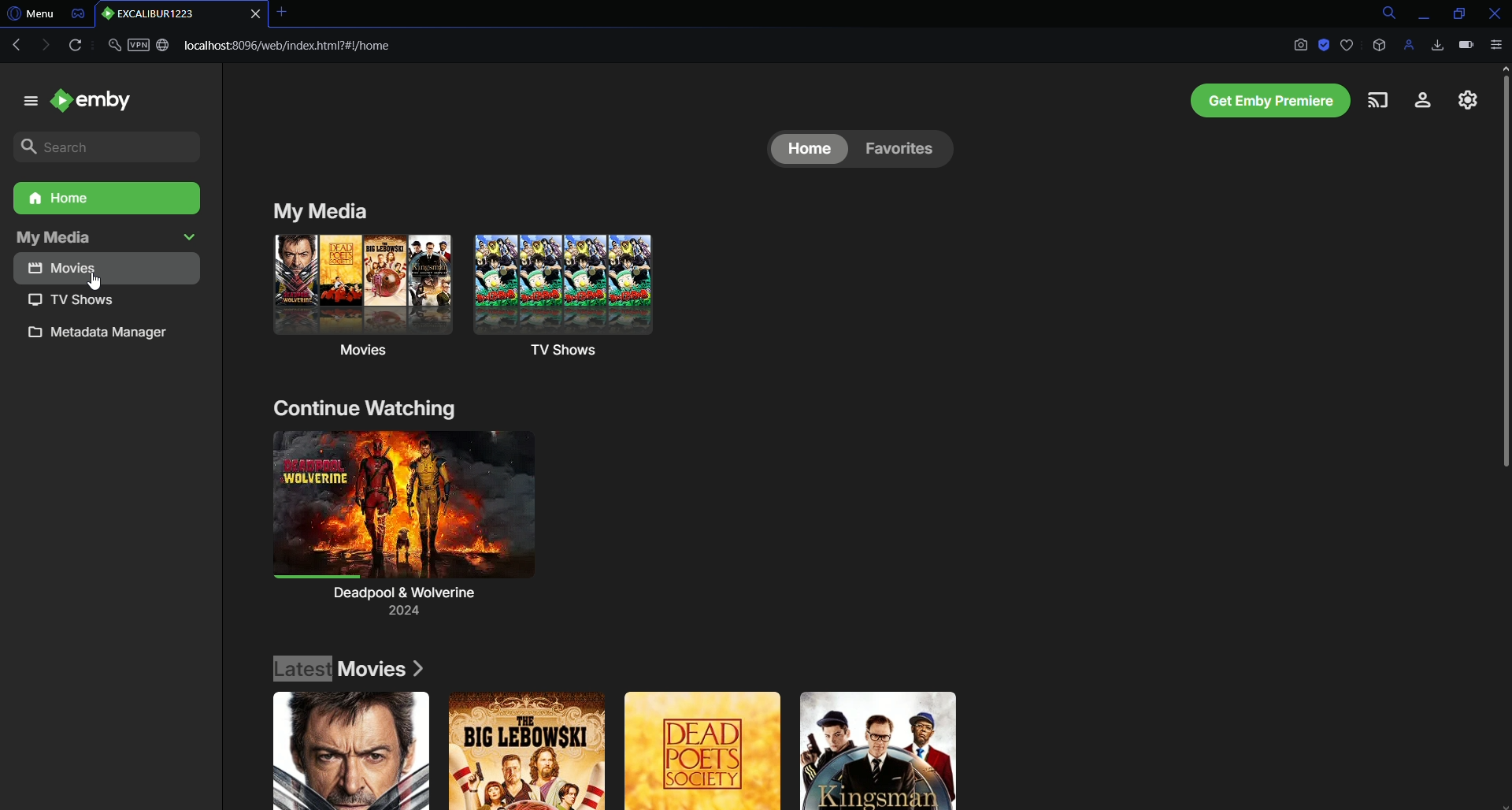 This screenshot has height=810, width=1512. What do you see at coordinates (356, 303) in the screenshot?
I see `Movies` at bounding box center [356, 303].